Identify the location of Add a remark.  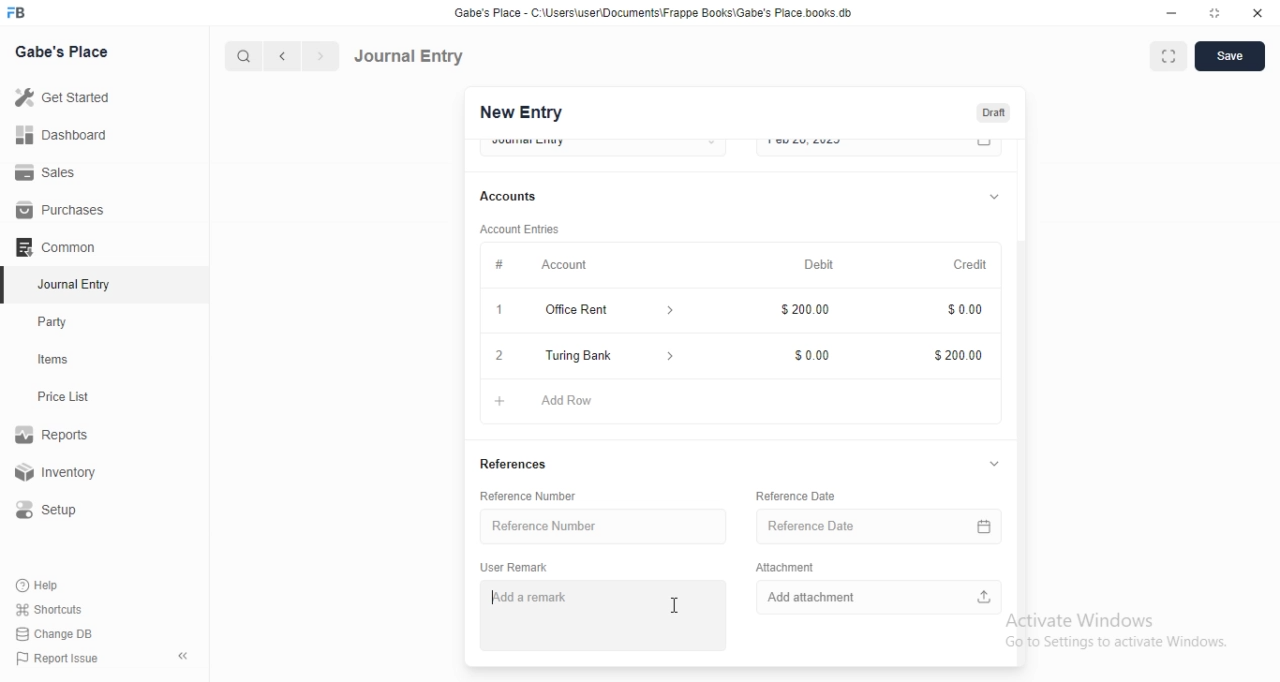
(538, 596).